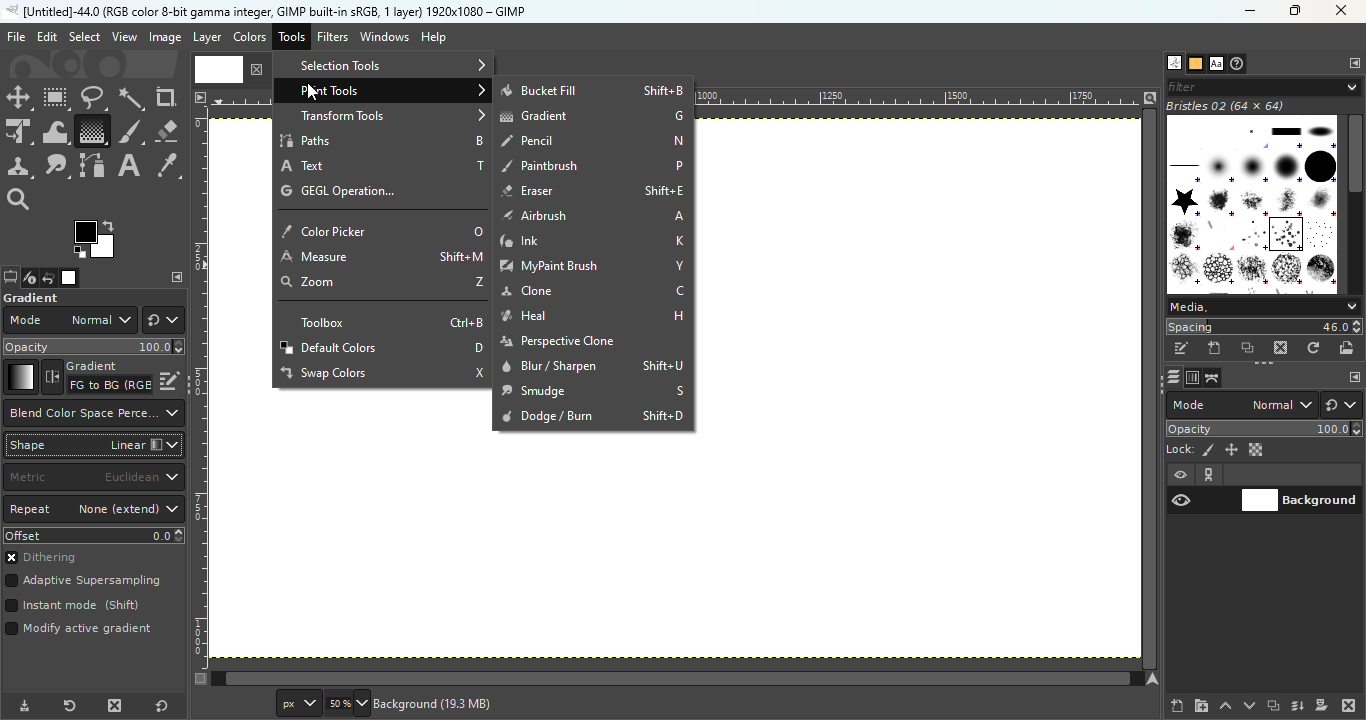 This screenshot has width=1366, height=720. Describe the element at coordinates (591, 214) in the screenshot. I see `Airbrush` at that location.